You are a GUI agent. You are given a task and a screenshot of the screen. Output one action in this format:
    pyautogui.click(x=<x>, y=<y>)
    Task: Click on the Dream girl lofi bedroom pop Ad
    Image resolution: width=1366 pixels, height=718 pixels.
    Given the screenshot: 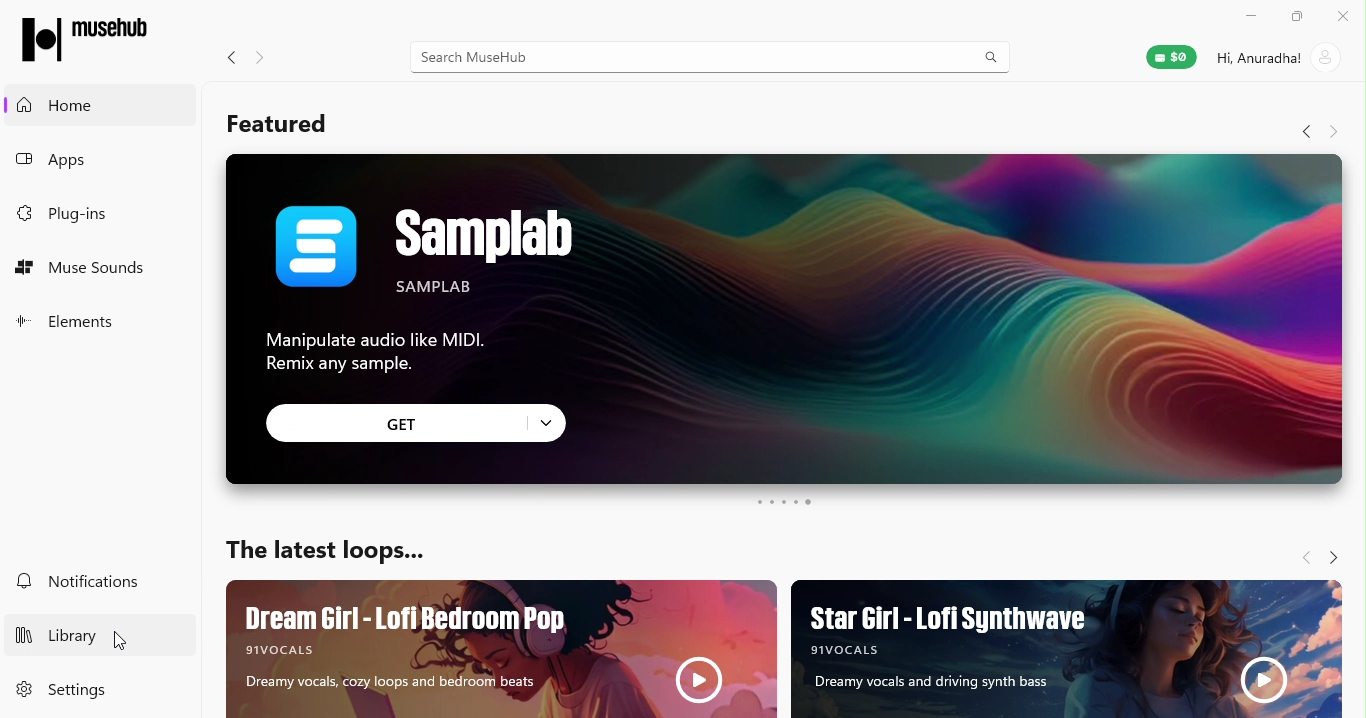 What is the action you would take?
    pyautogui.click(x=497, y=647)
    